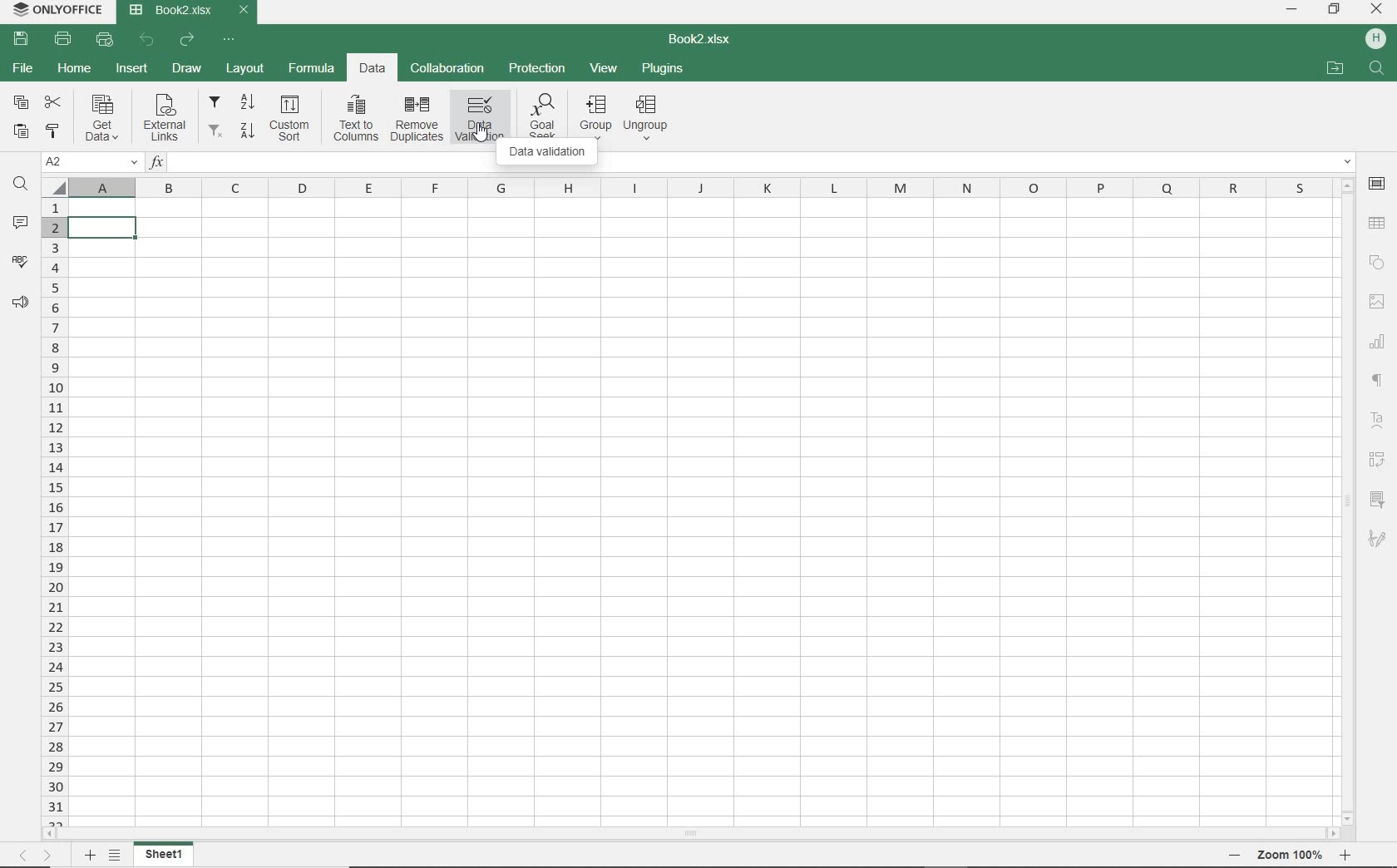 The height and width of the screenshot is (868, 1397). What do you see at coordinates (1377, 501) in the screenshot?
I see `SLICER` at bounding box center [1377, 501].